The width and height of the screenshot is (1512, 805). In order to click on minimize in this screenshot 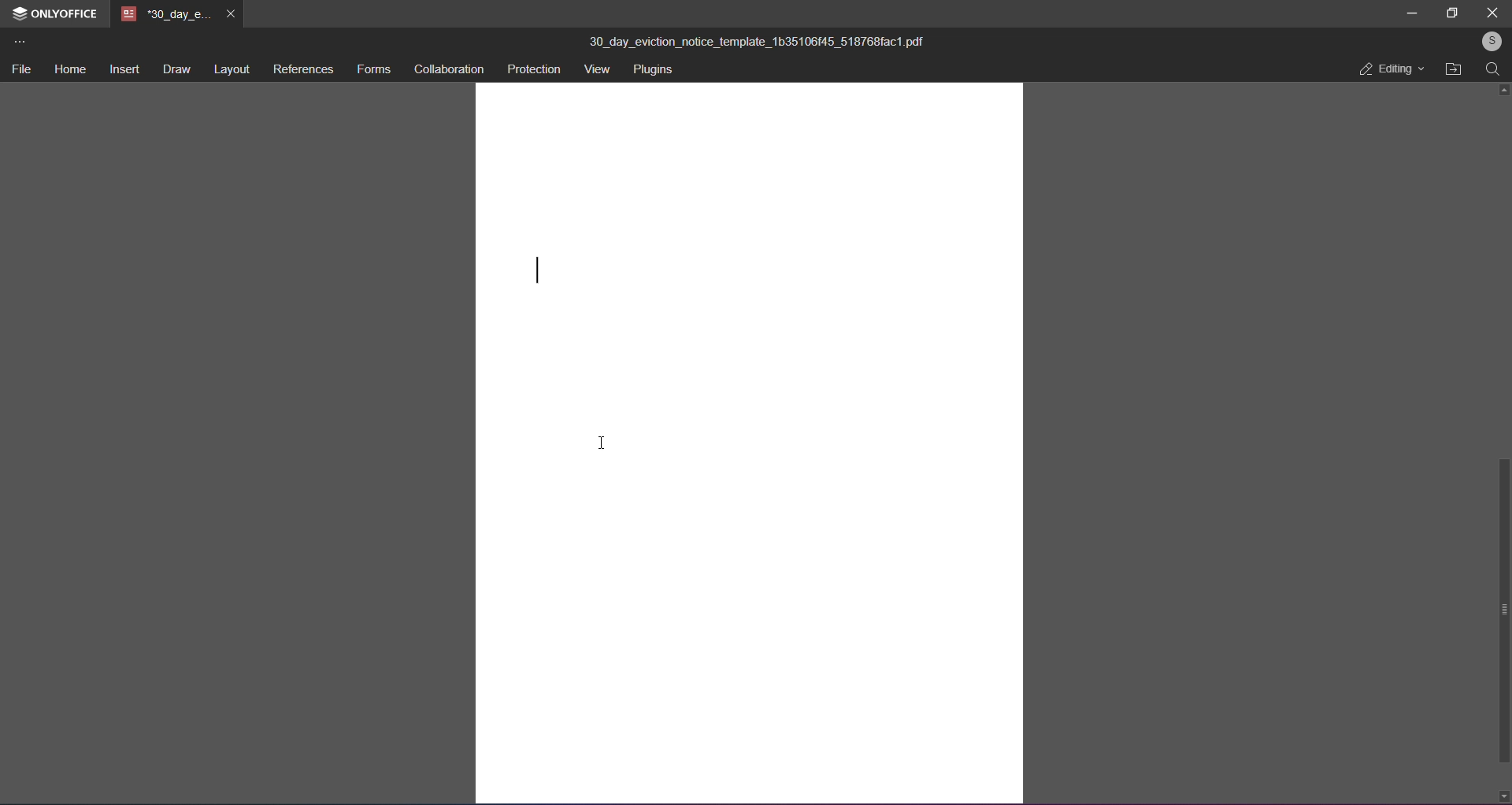, I will do `click(1412, 13)`.